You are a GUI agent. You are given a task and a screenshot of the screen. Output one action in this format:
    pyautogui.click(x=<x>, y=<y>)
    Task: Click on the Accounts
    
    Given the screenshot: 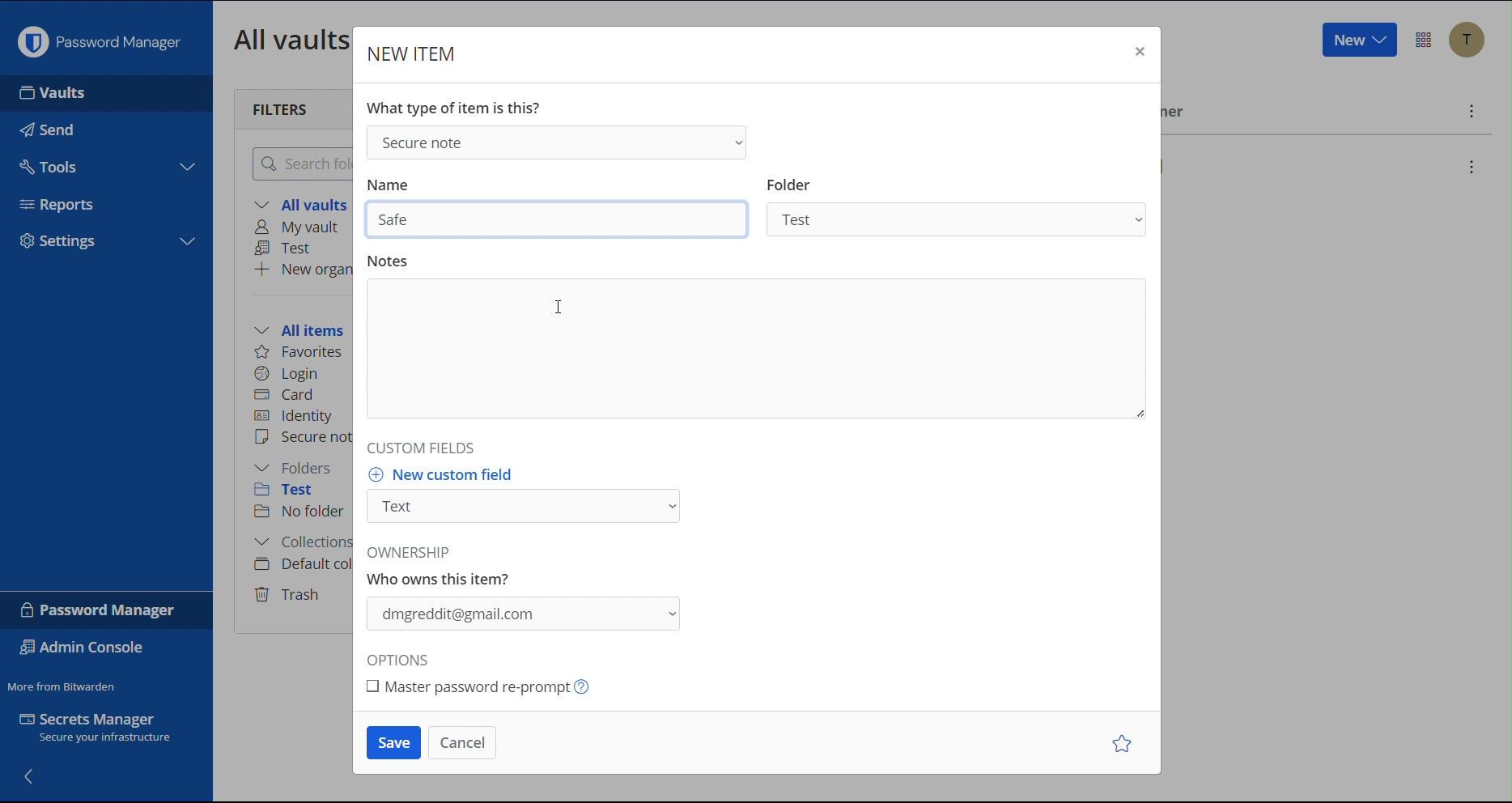 What is the action you would take?
    pyautogui.click(x=1467, y=40)
    